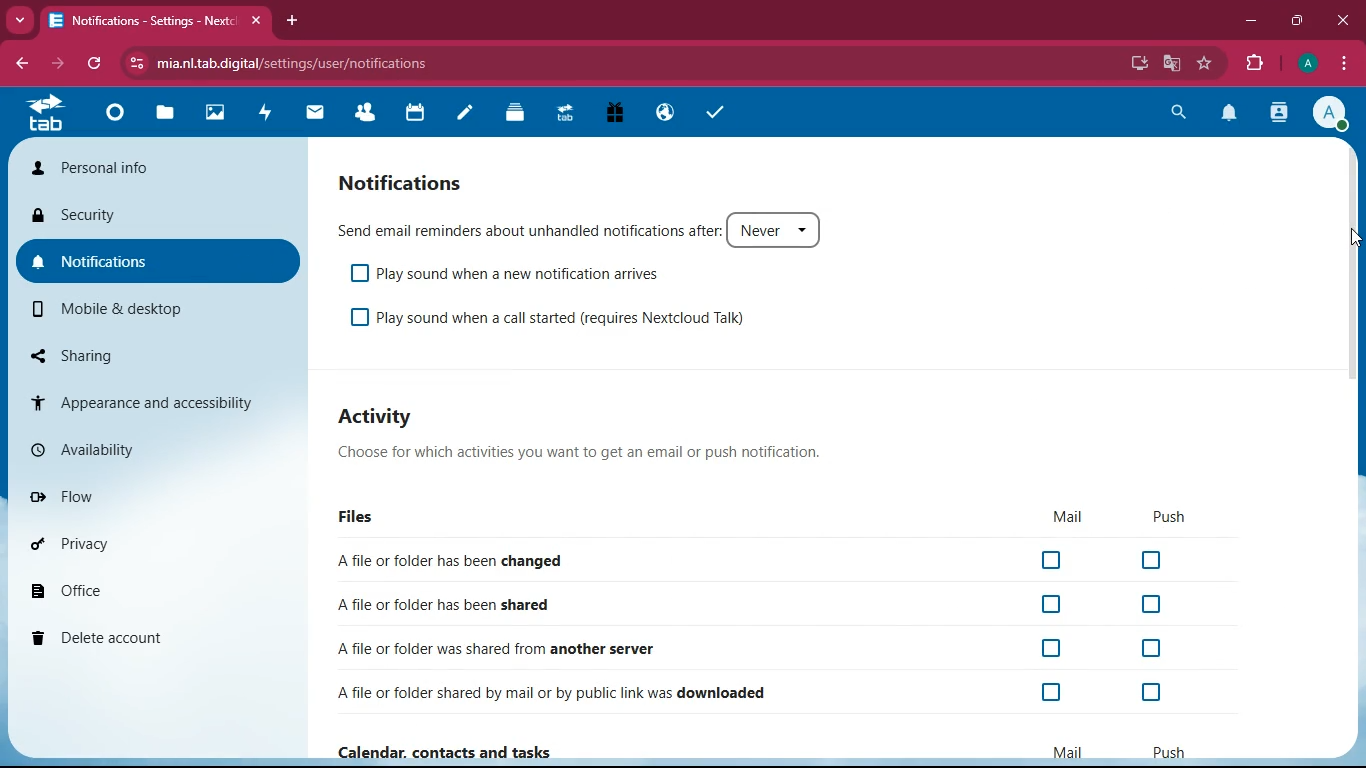  What do you see at coordinates (166, 115) in the screenshot?
I see `files` at bounding box center [166, 115].